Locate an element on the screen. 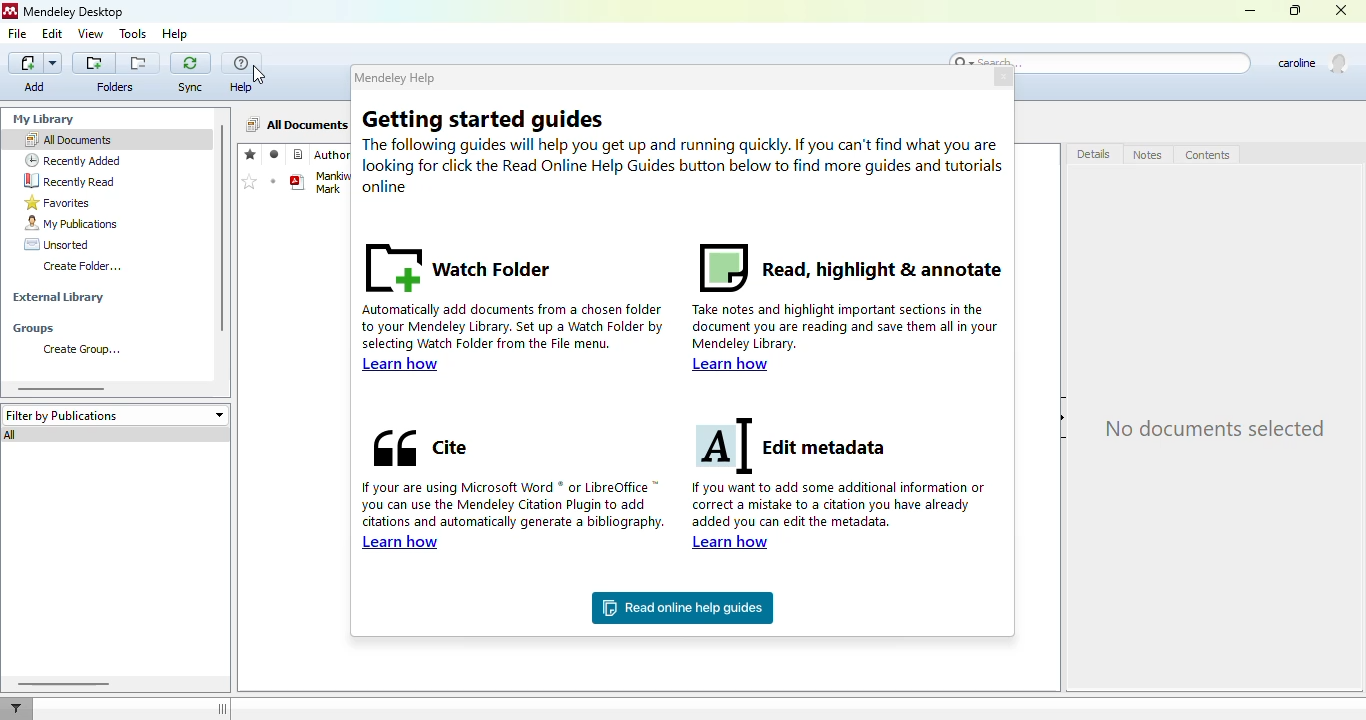  details is located at coordinates (1093, 154).